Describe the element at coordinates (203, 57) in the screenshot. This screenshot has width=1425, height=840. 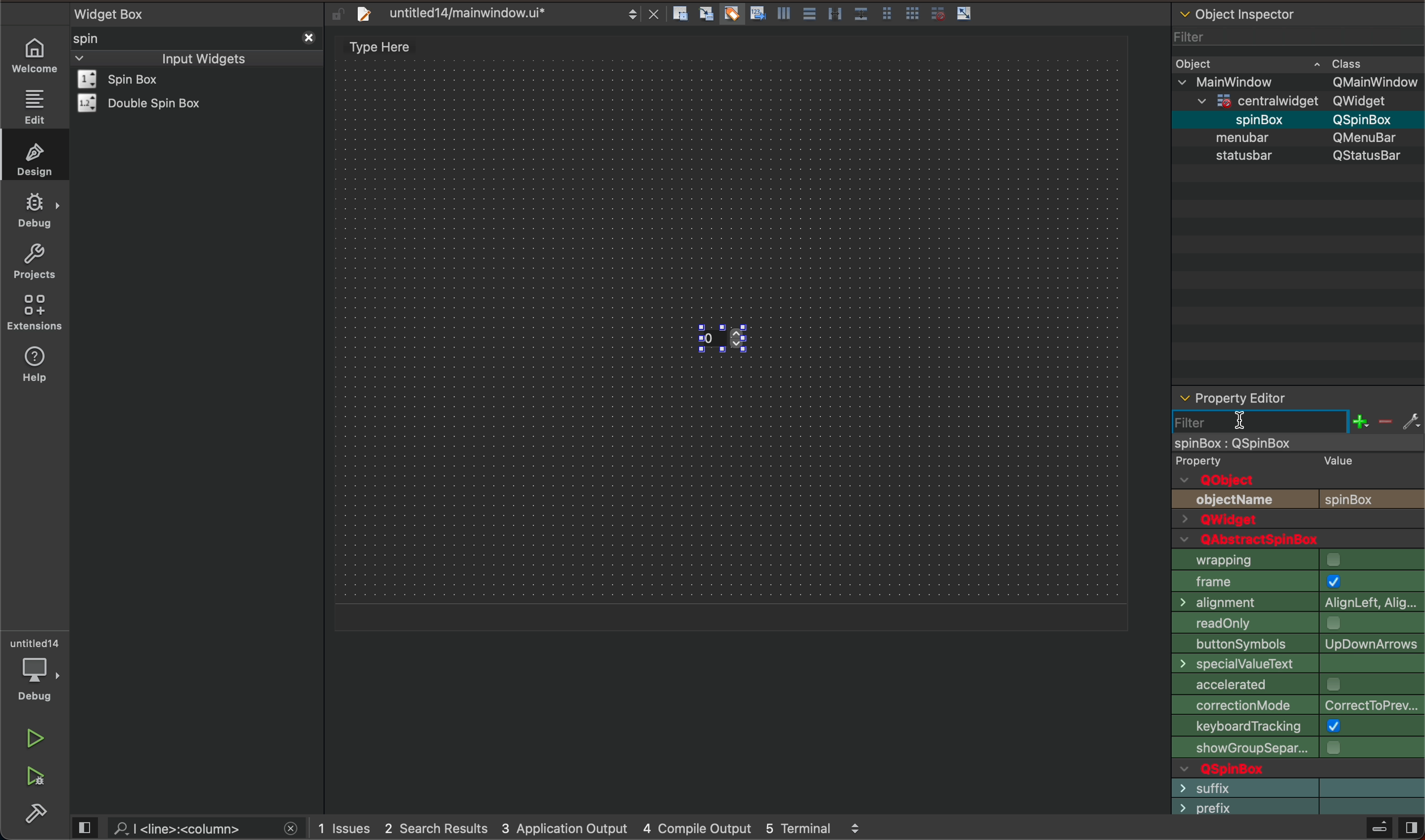
I see `inout` at that location.